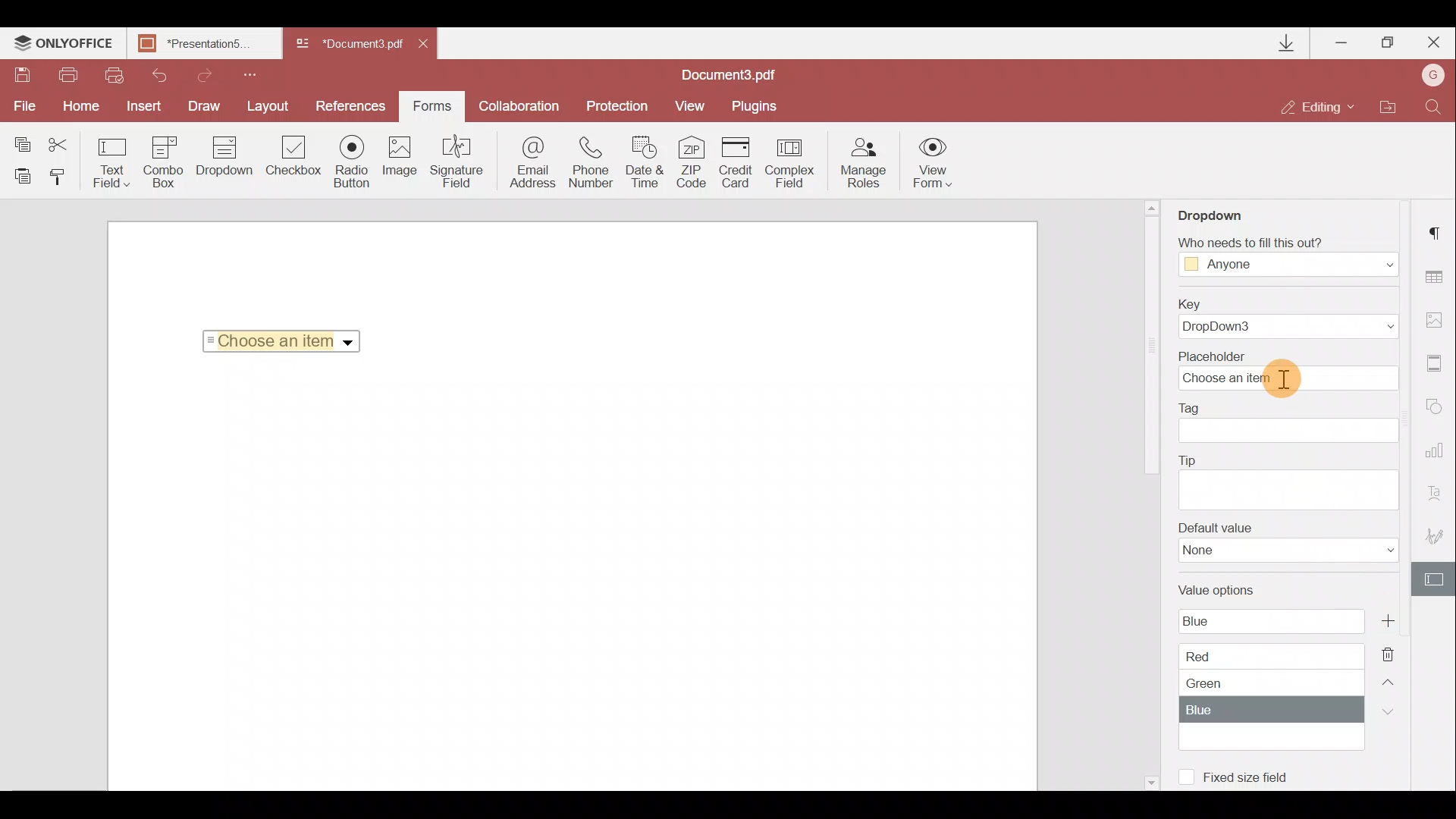 The width and height of the screenshot is (1456, 819). I want to click on Table settings, so click(1441, 277).